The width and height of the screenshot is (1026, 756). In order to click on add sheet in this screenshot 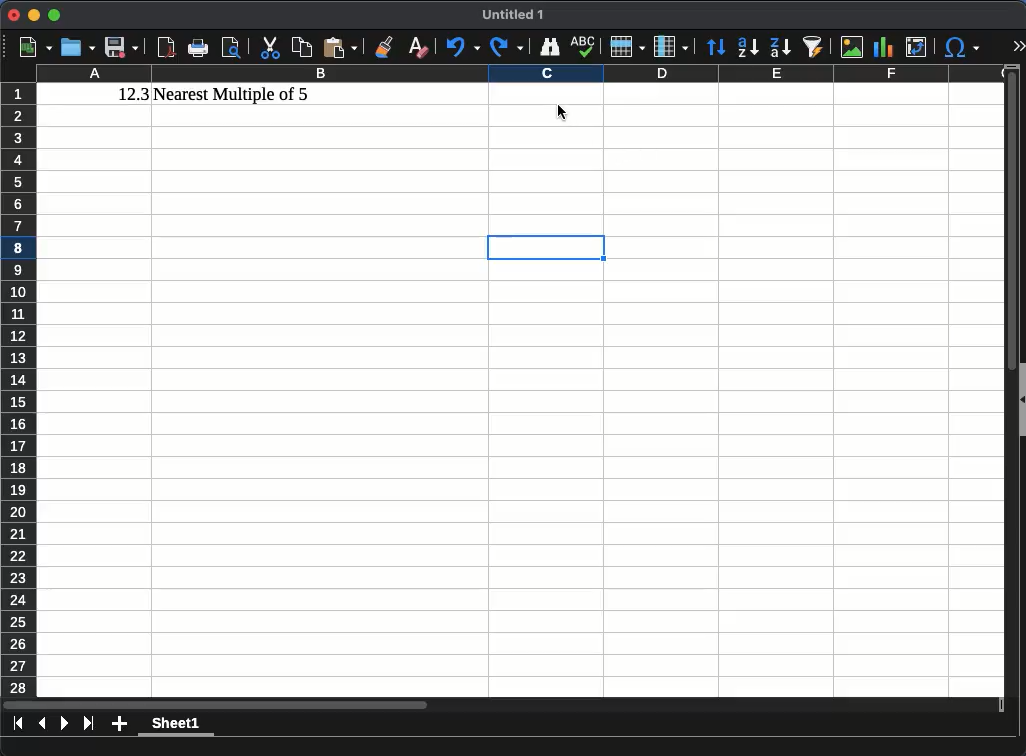, I will do `click(119, 724)`.